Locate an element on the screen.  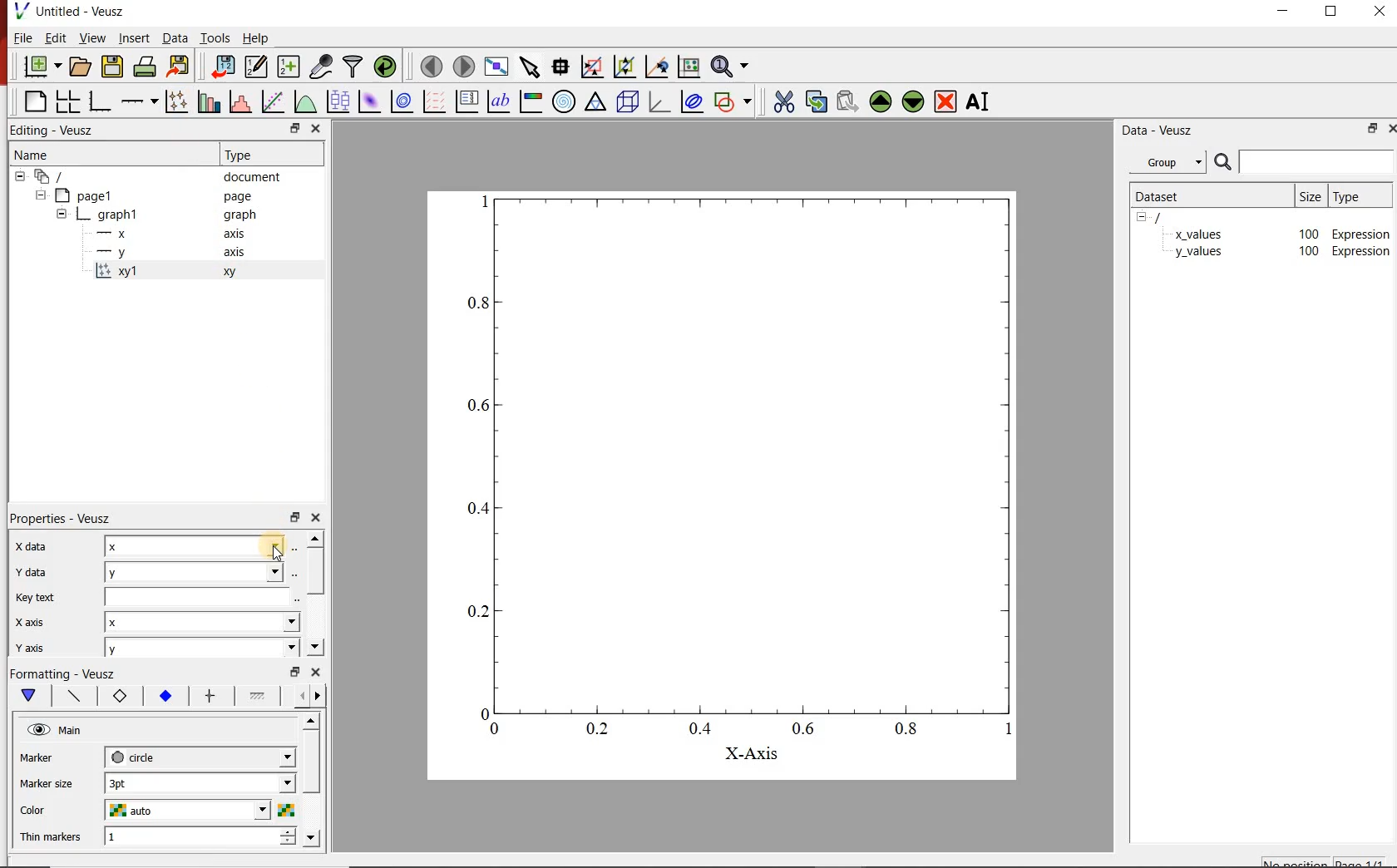
restore down is located at coordinates (1369, 128).